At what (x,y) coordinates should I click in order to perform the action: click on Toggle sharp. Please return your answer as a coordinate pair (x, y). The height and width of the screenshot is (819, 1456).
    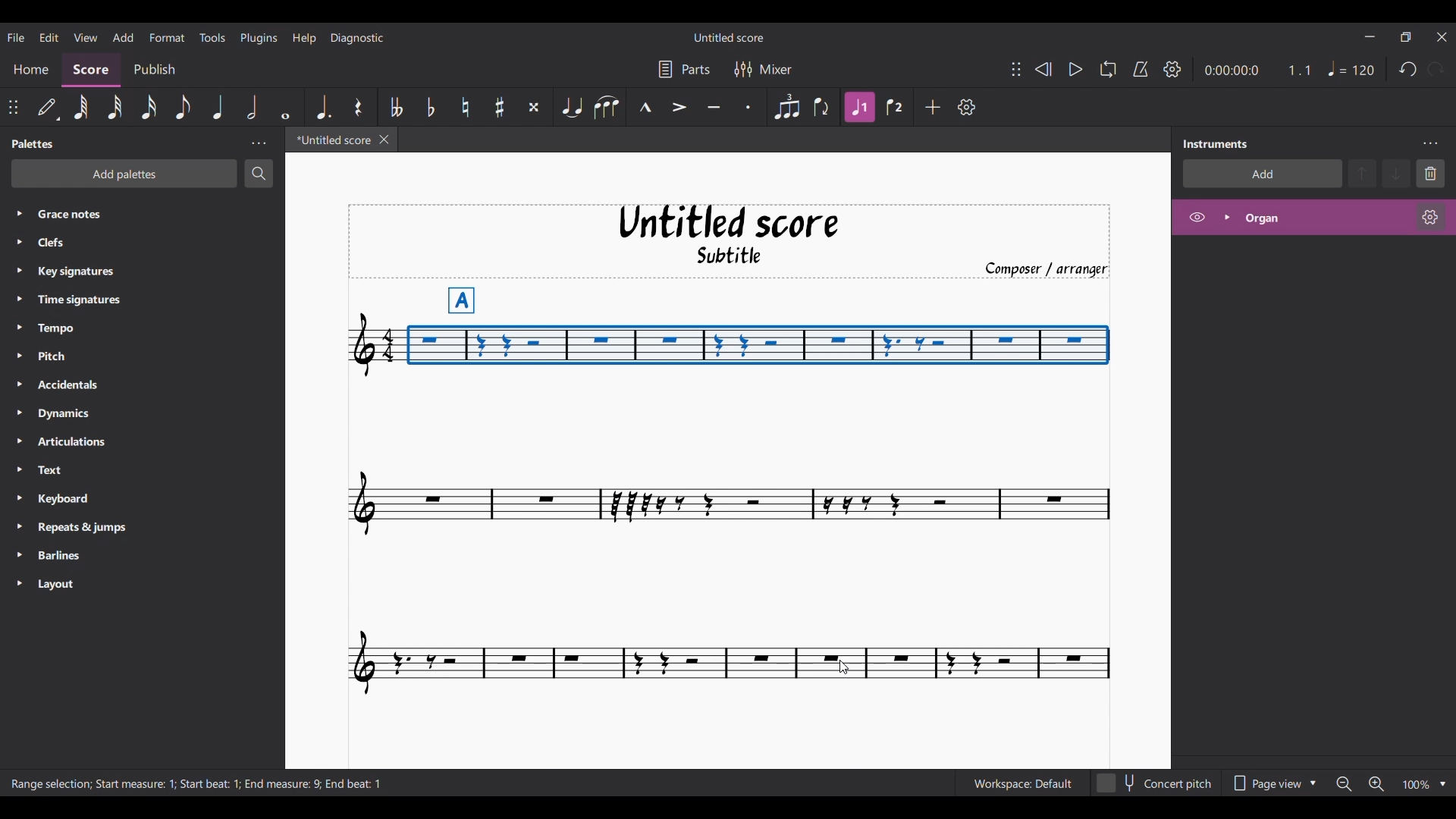
    Looking at the image, I should click on (500, 106).